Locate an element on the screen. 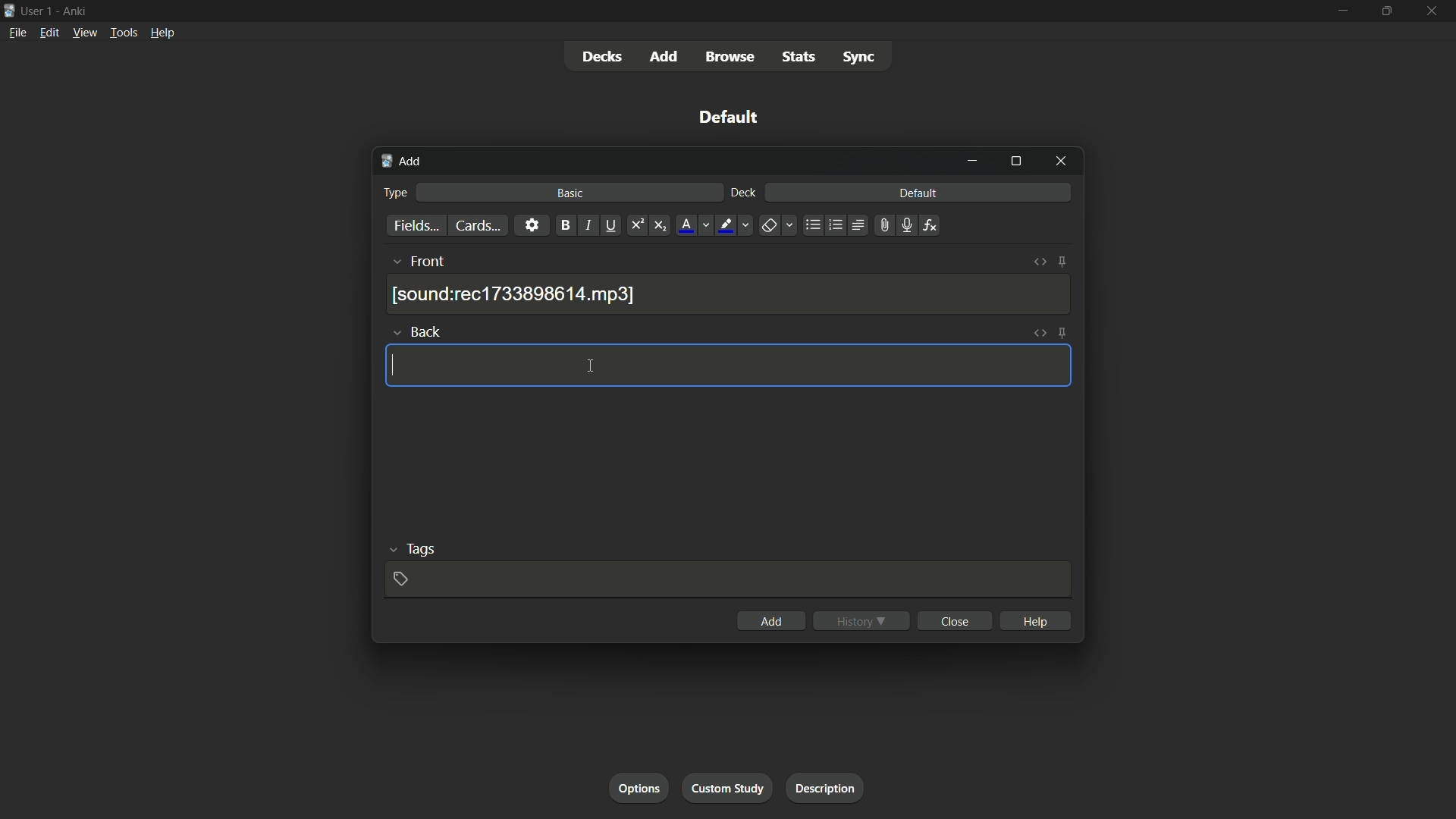 Image resolution: width=1456 pixels, height=819 pixels. options is located at coordinates (638, 788).